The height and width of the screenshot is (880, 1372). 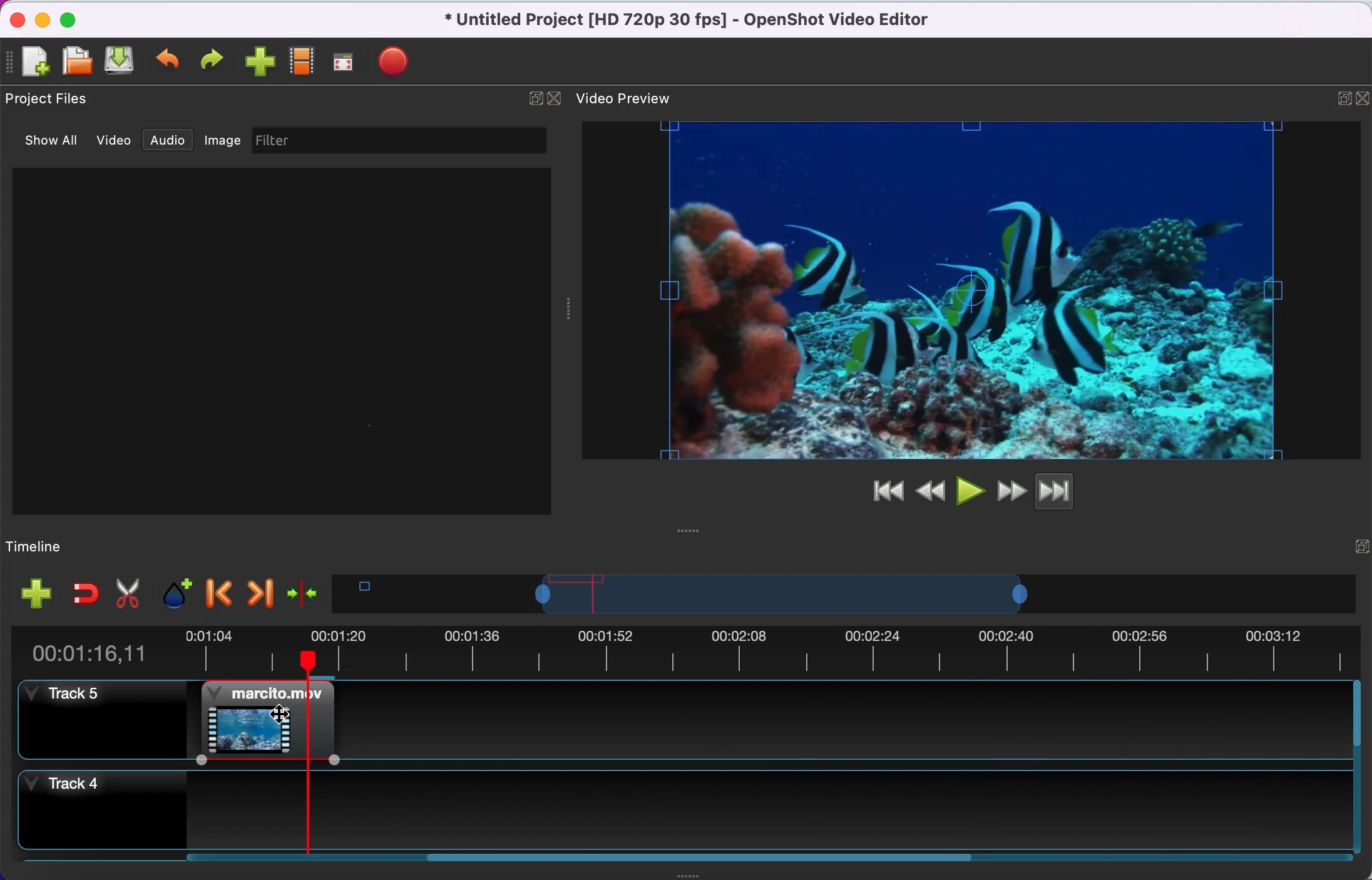 I want to click on expand/hide, so click(x=1360, y=543).